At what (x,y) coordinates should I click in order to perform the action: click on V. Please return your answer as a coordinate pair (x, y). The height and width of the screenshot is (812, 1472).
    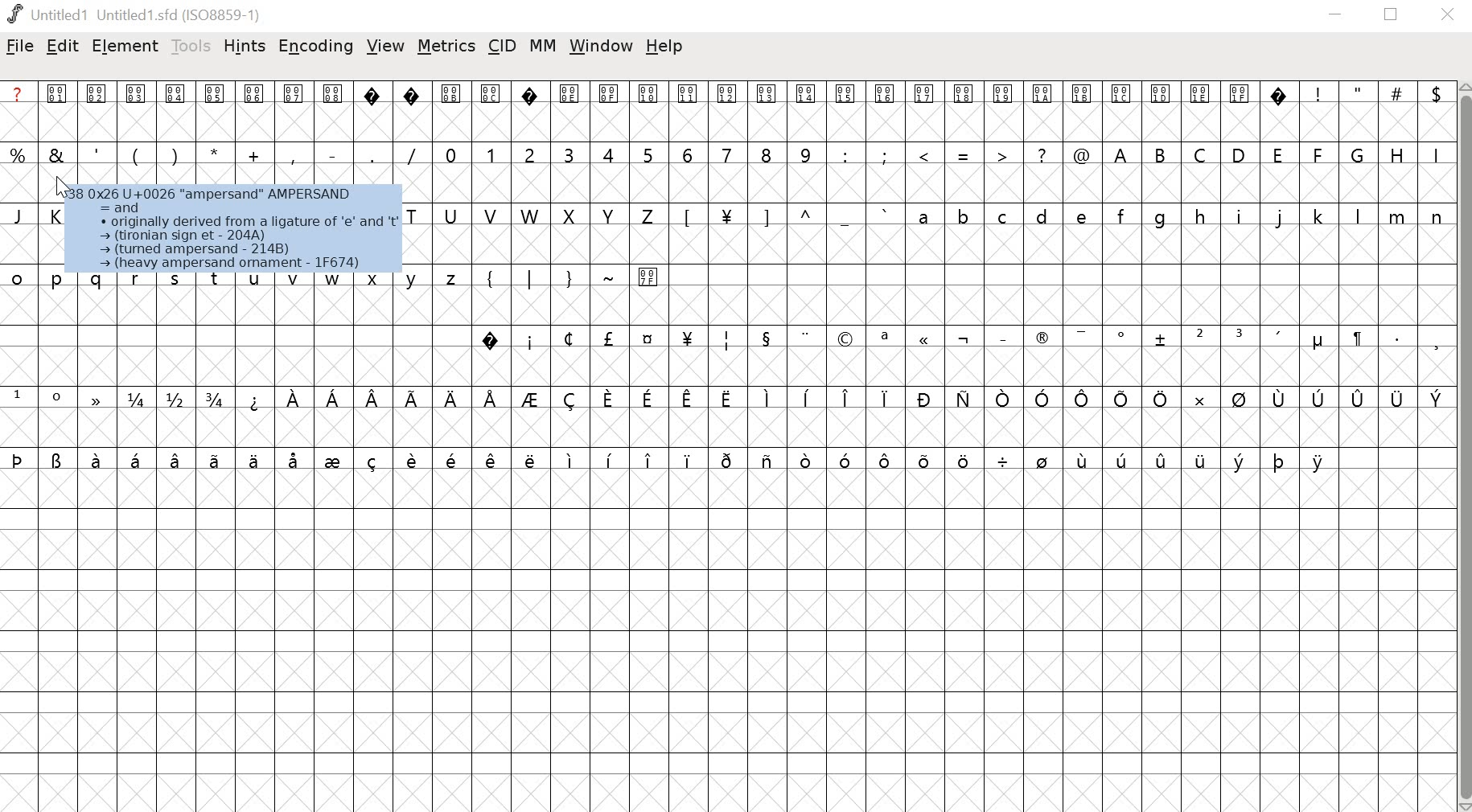
    Looking at the image, I should click on (492, 214).